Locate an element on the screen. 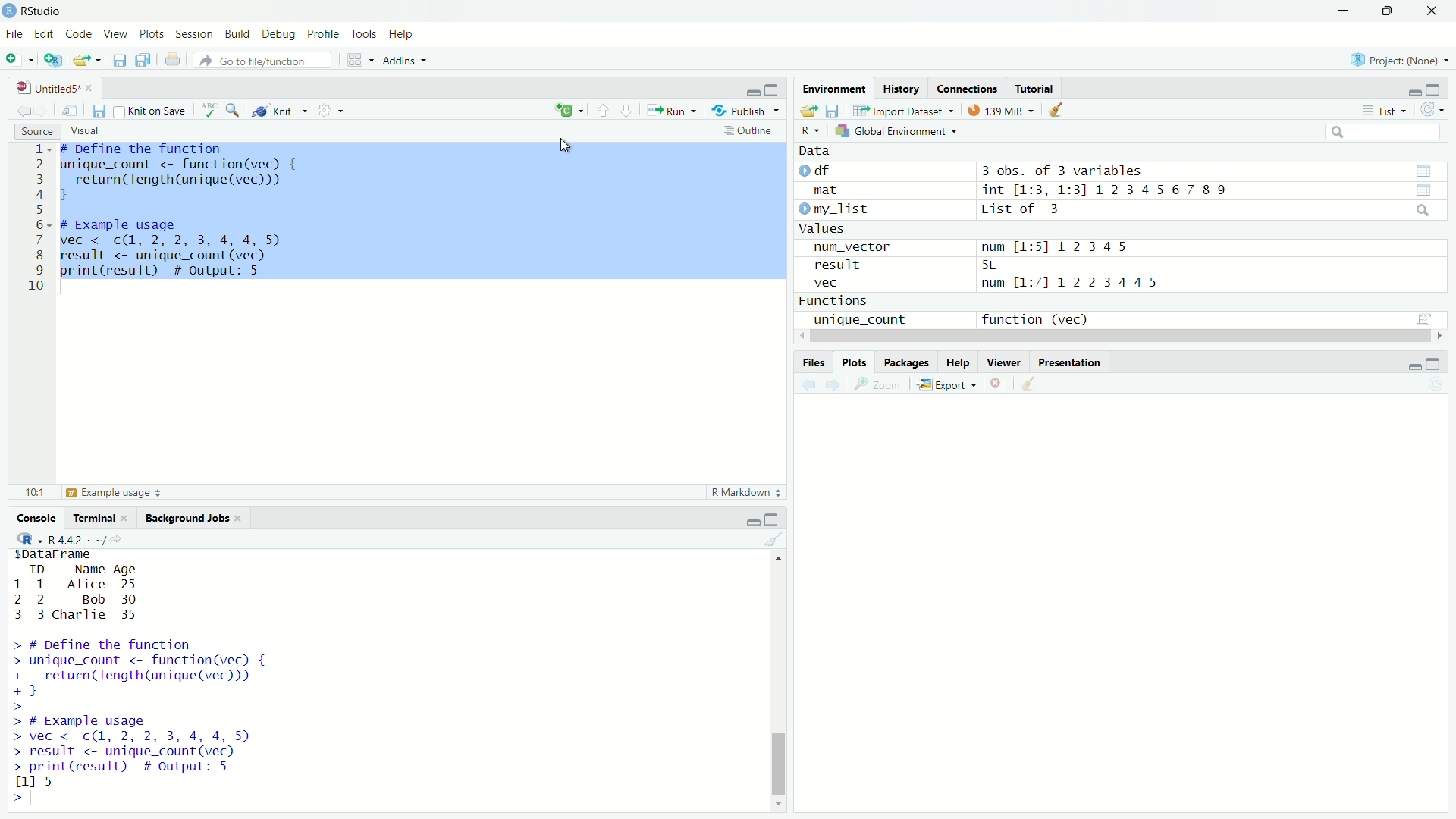 This screenshot has height=819, width=1456. 139Mib is located at coordinates (1000, 111).